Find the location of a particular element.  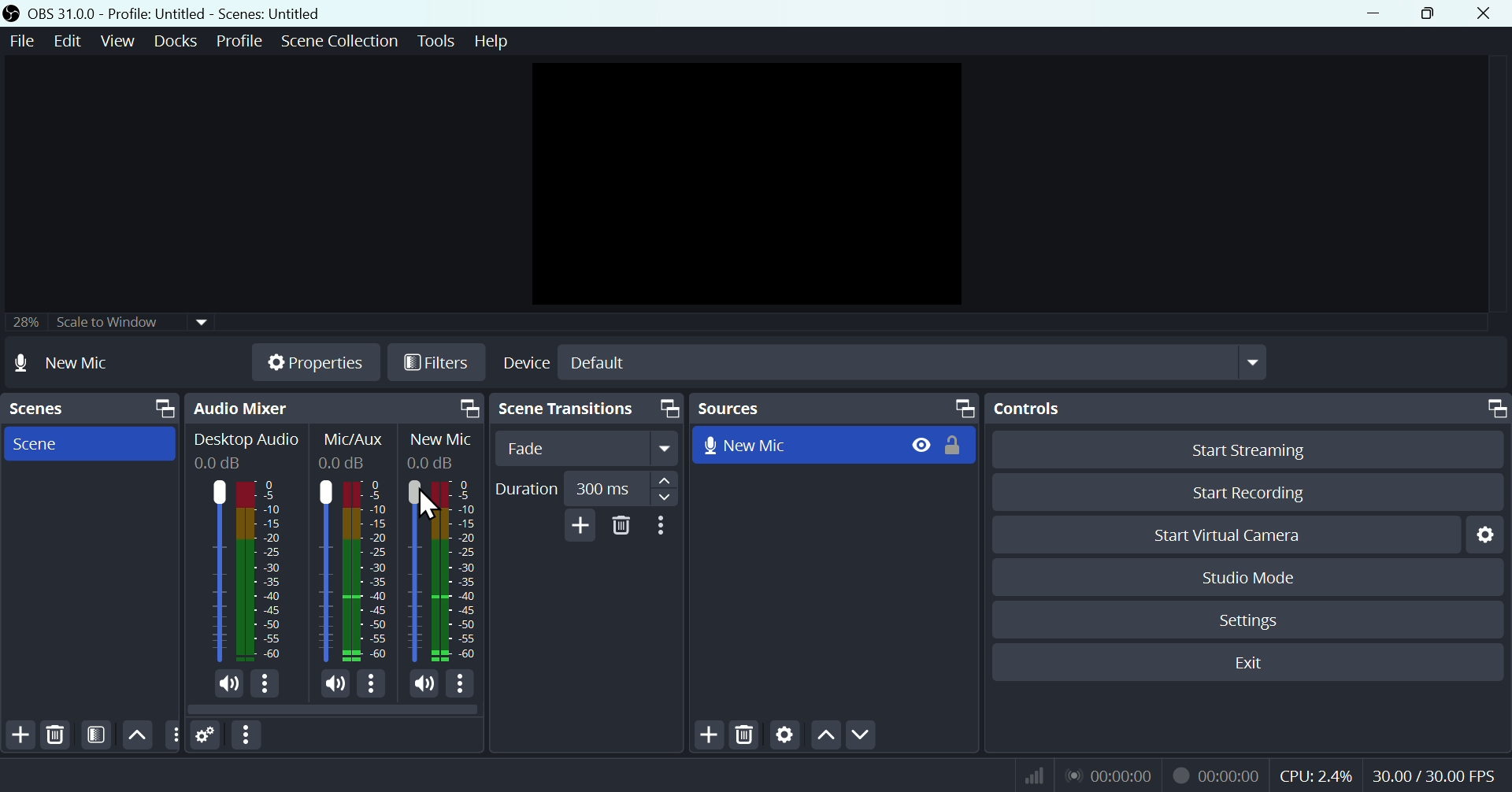

Delete is located at coordinates (55, 735).